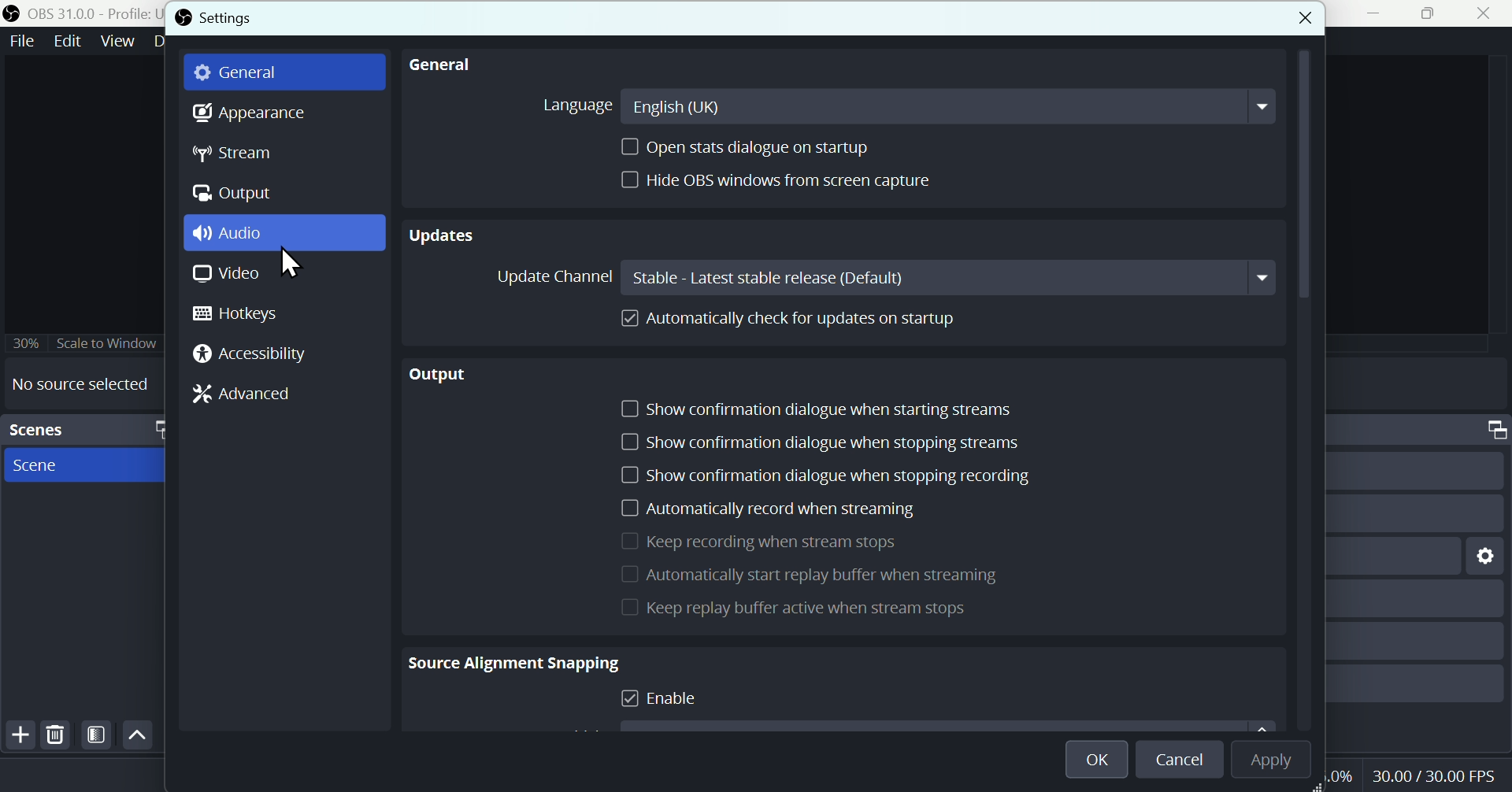 The height and width of the screenshot is (792, 1512). Describe the element at coordinates (685, 705) in the screenshot. I see `Enable` at that location.